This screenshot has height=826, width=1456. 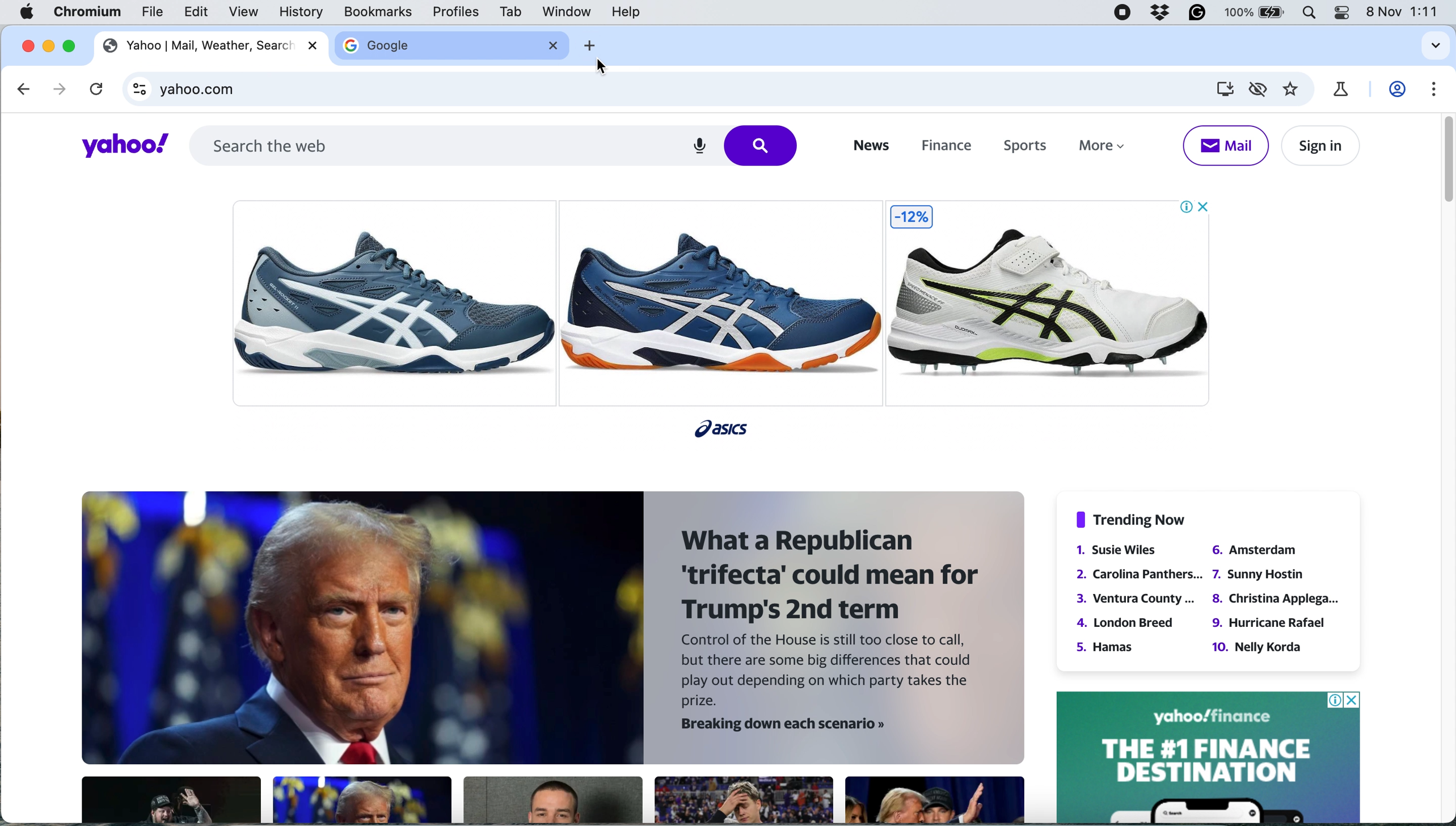 I want to click on finance, so click(x=944, y=147).